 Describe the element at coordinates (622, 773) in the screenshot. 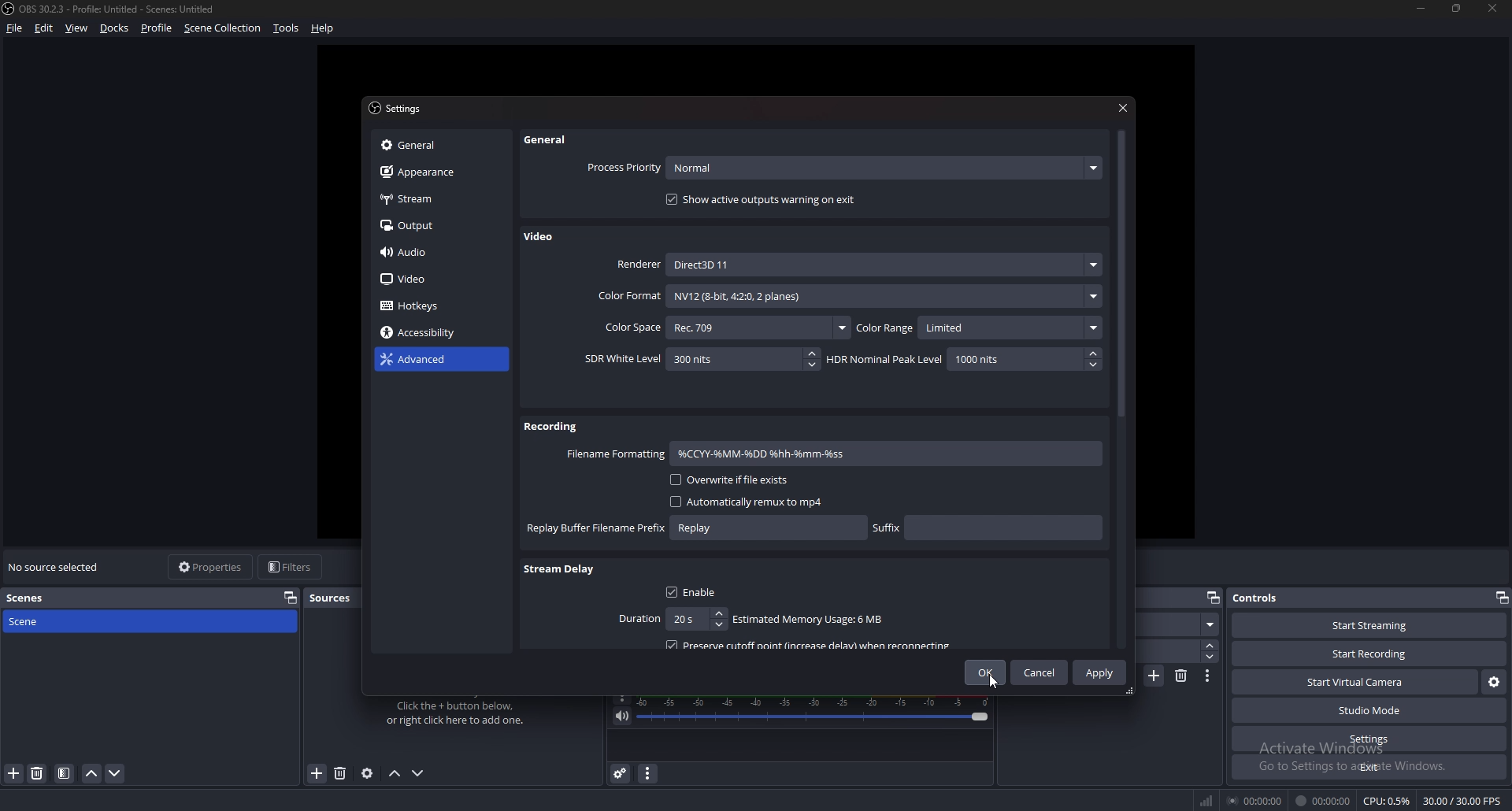

I see `advanced audio properties` at that location.